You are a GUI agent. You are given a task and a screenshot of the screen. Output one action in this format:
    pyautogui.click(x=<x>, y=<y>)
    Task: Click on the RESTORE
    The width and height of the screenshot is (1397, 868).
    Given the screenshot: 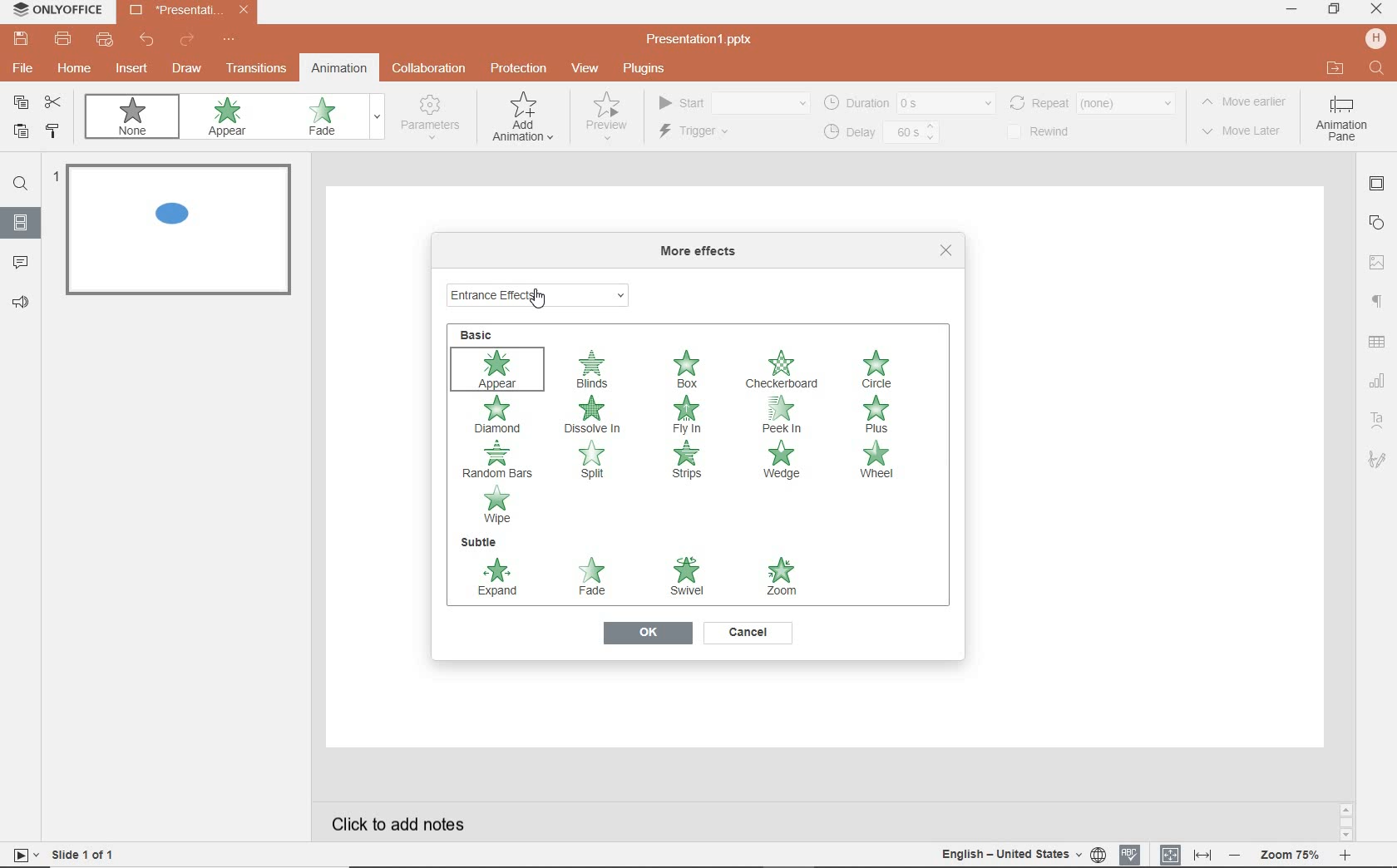 What is the action you would take?
    pyautogui.click(x=1334, y=10)
    